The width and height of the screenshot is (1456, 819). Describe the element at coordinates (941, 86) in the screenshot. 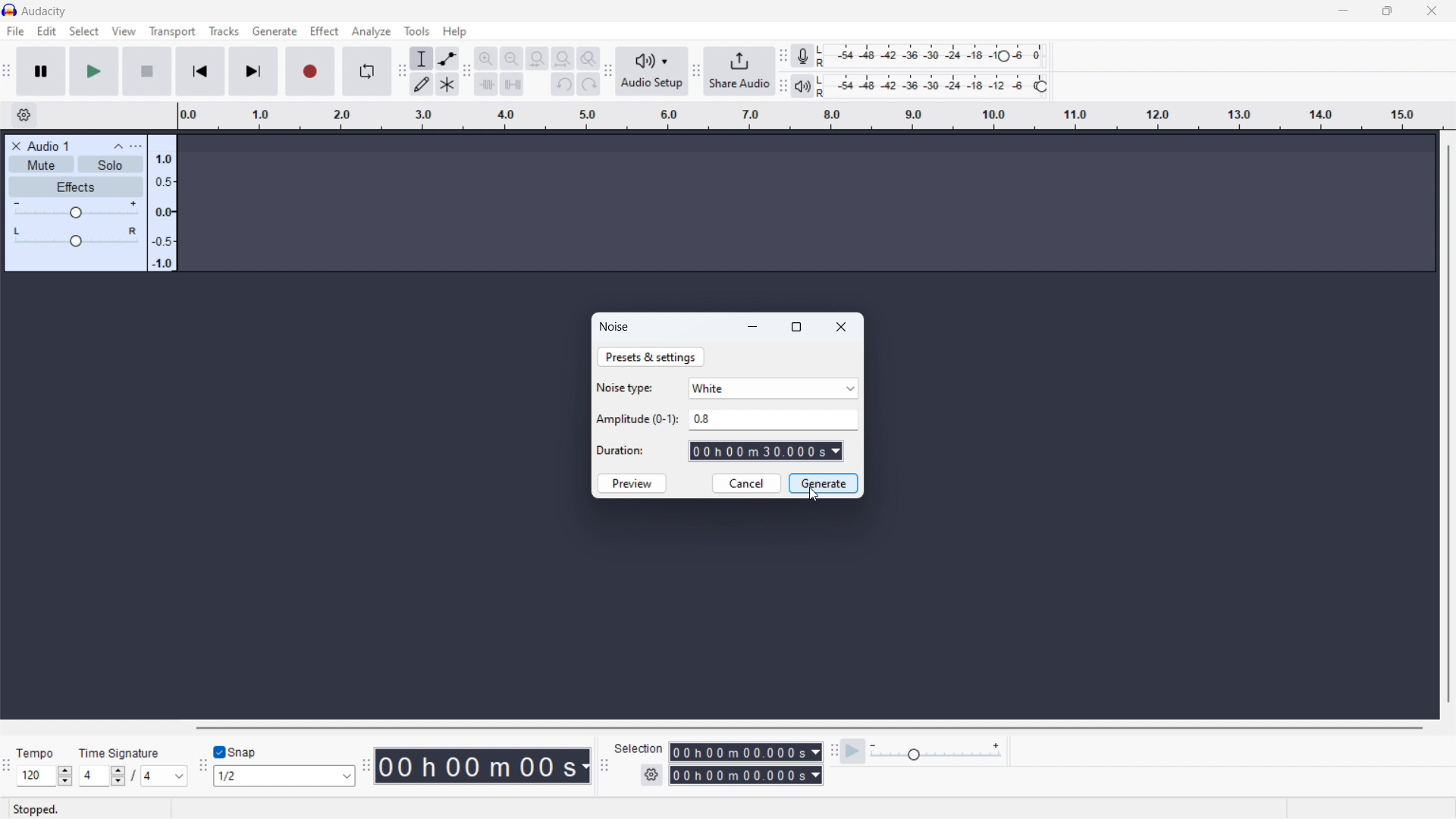

I see `playback level` at that location.